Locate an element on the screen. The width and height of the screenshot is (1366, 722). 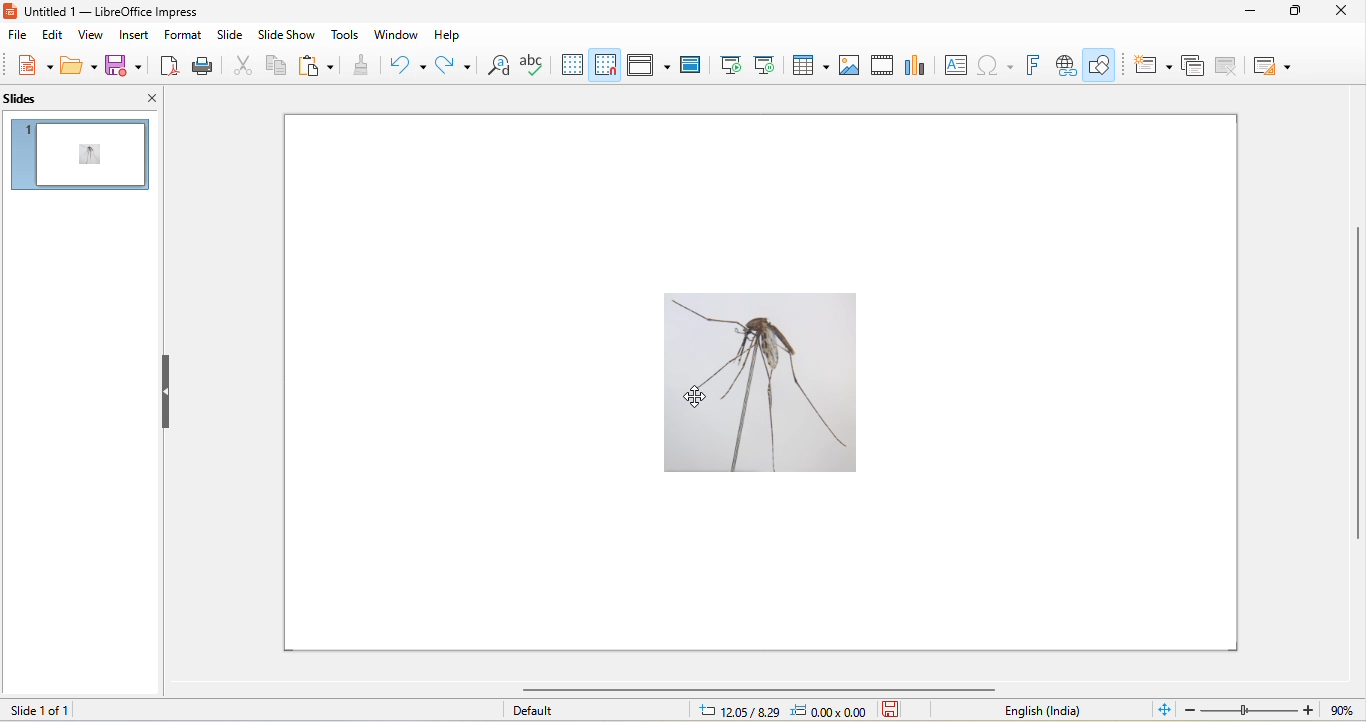
redo is located at coordinates (454, 65).